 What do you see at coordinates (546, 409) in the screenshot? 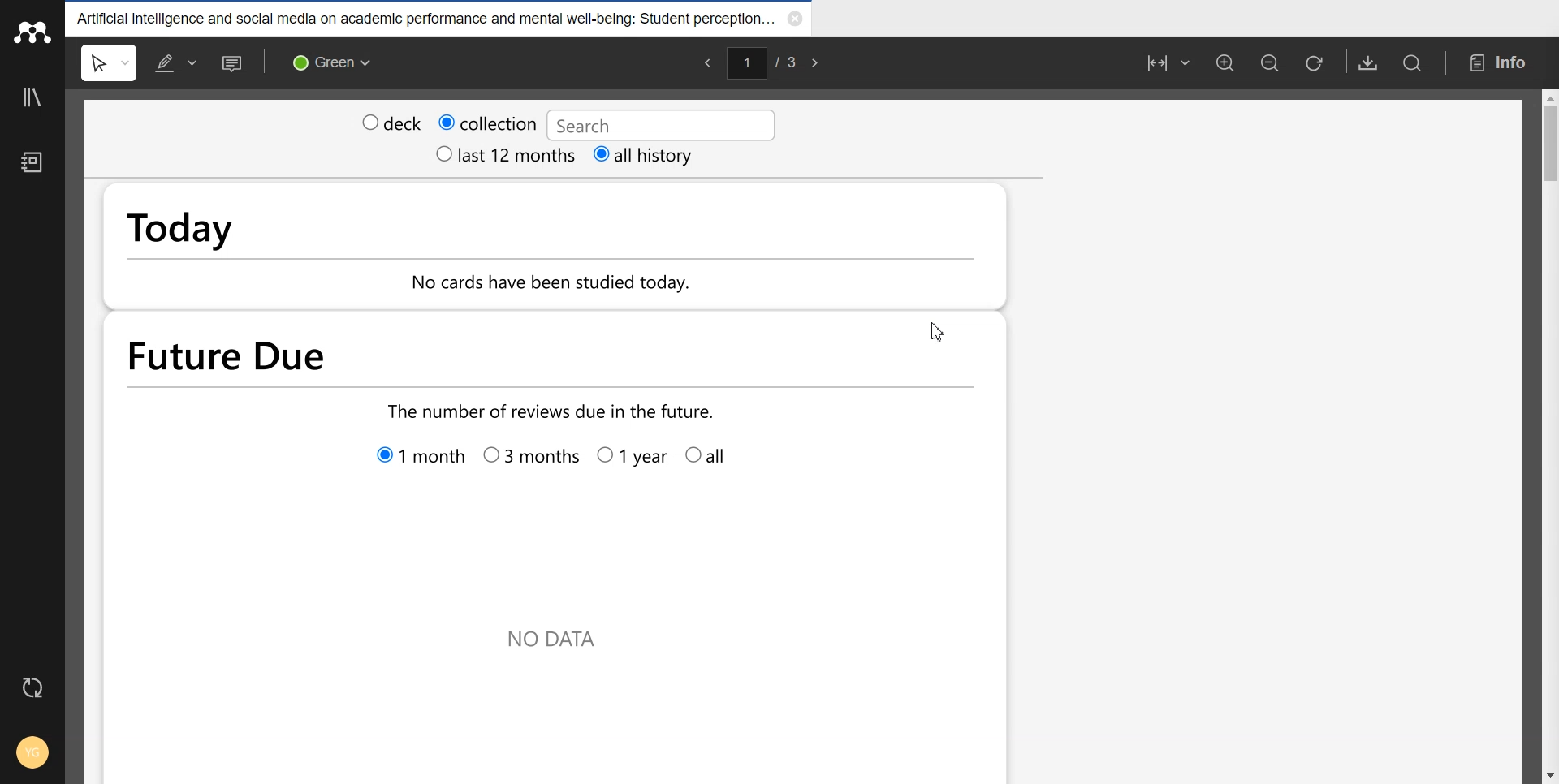
I see `The number of reviews due in the future` at bounding box center [546, 409].